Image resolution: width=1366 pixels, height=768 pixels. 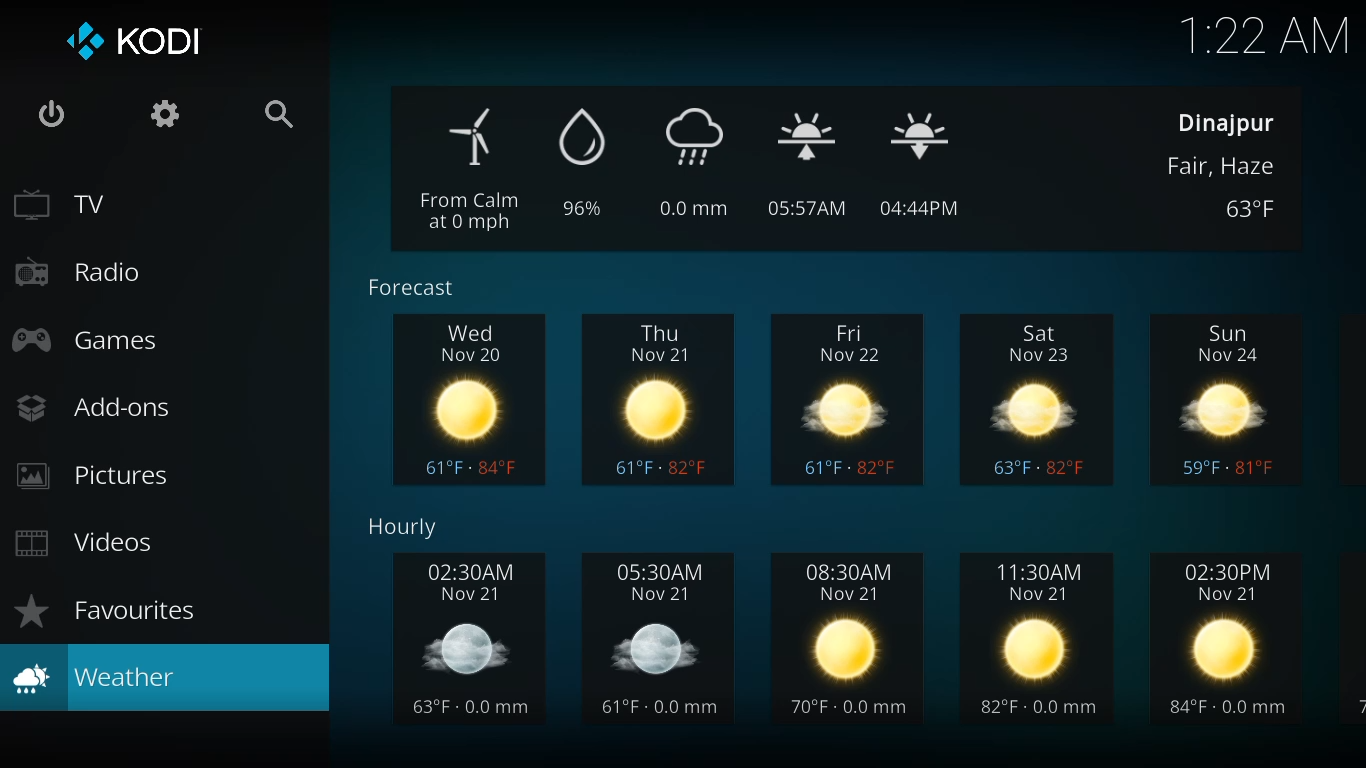 What do you see at coordinates (470, 400) in the screenshot?
I see `wed` at bounding box center [470, 400].